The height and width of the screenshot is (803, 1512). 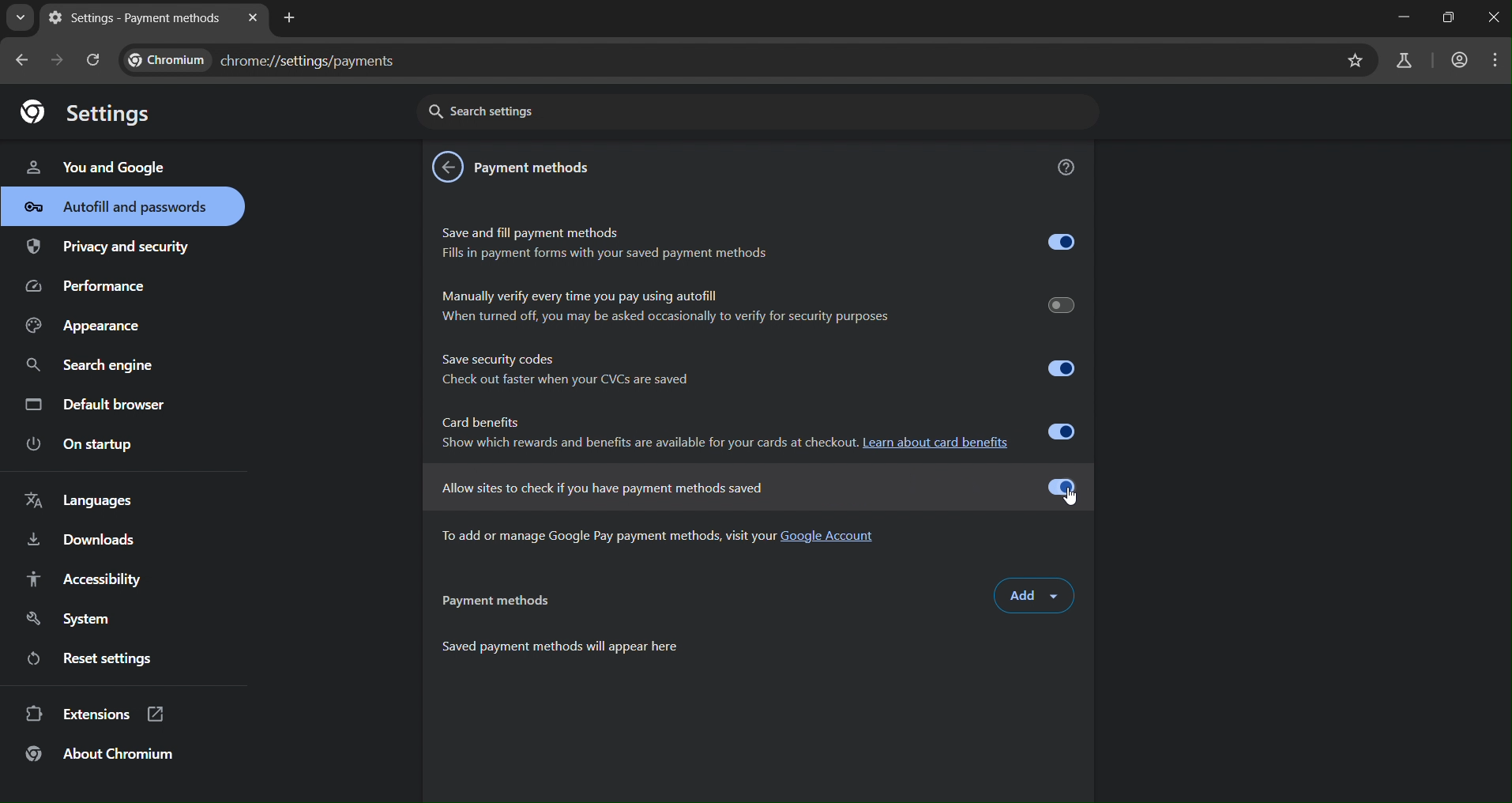 What do you see at coordinates (1461, 62) in the screenshot?
I see `account` at bounding box center [1461, 62].